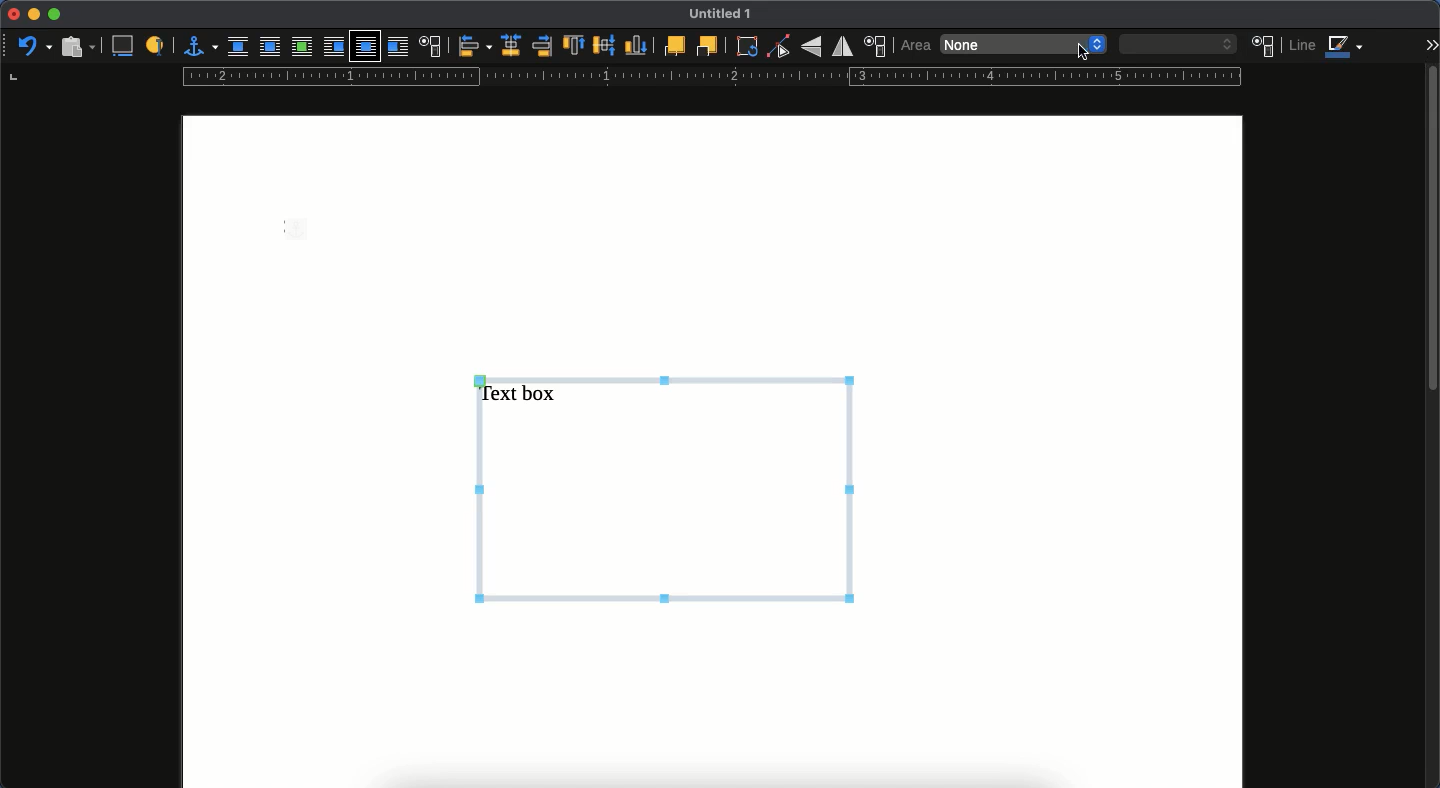  I want to click on paste, so click(76, 46).